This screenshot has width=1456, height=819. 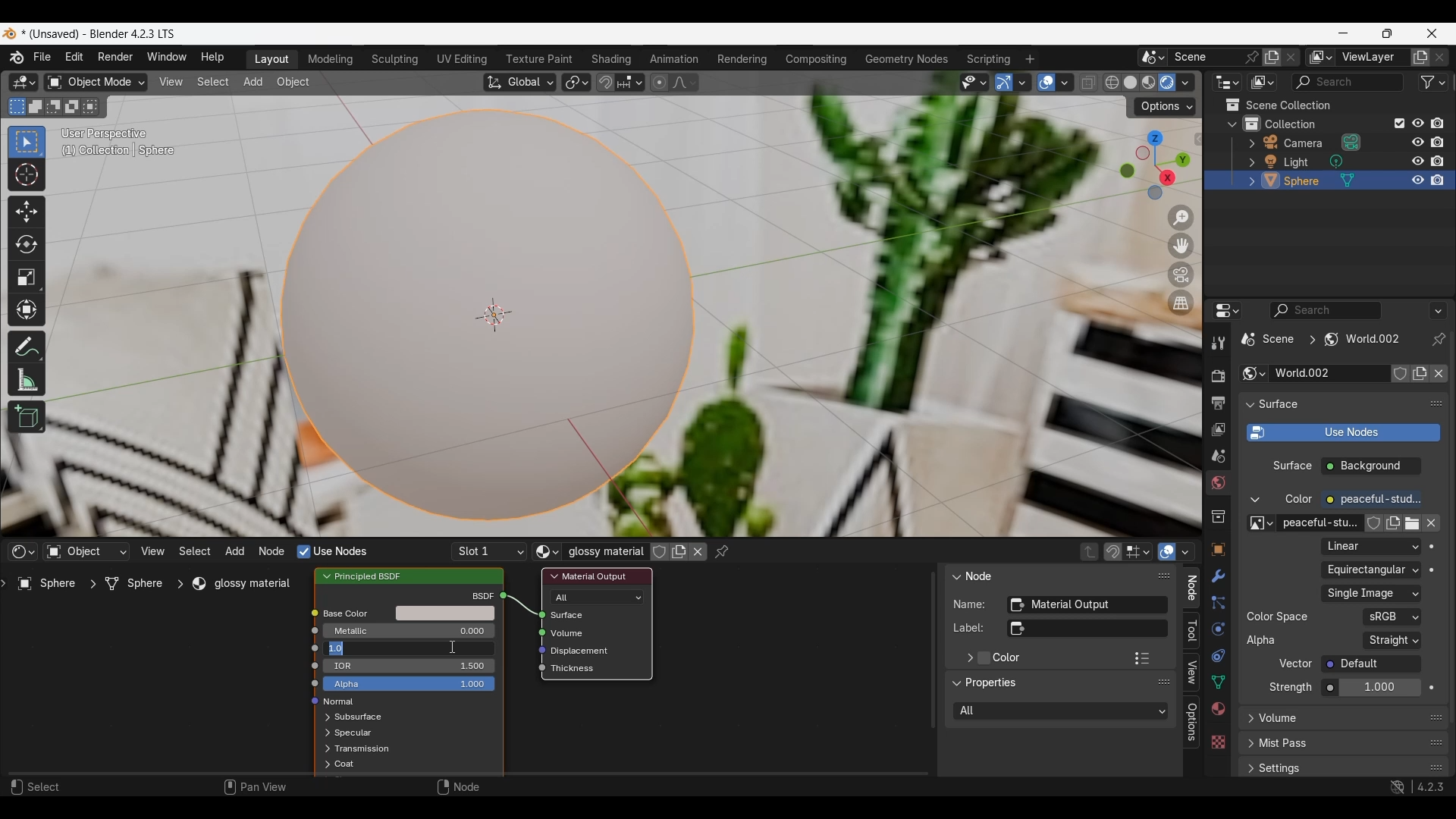 I want to click on icon, so click(x=309, y=685).